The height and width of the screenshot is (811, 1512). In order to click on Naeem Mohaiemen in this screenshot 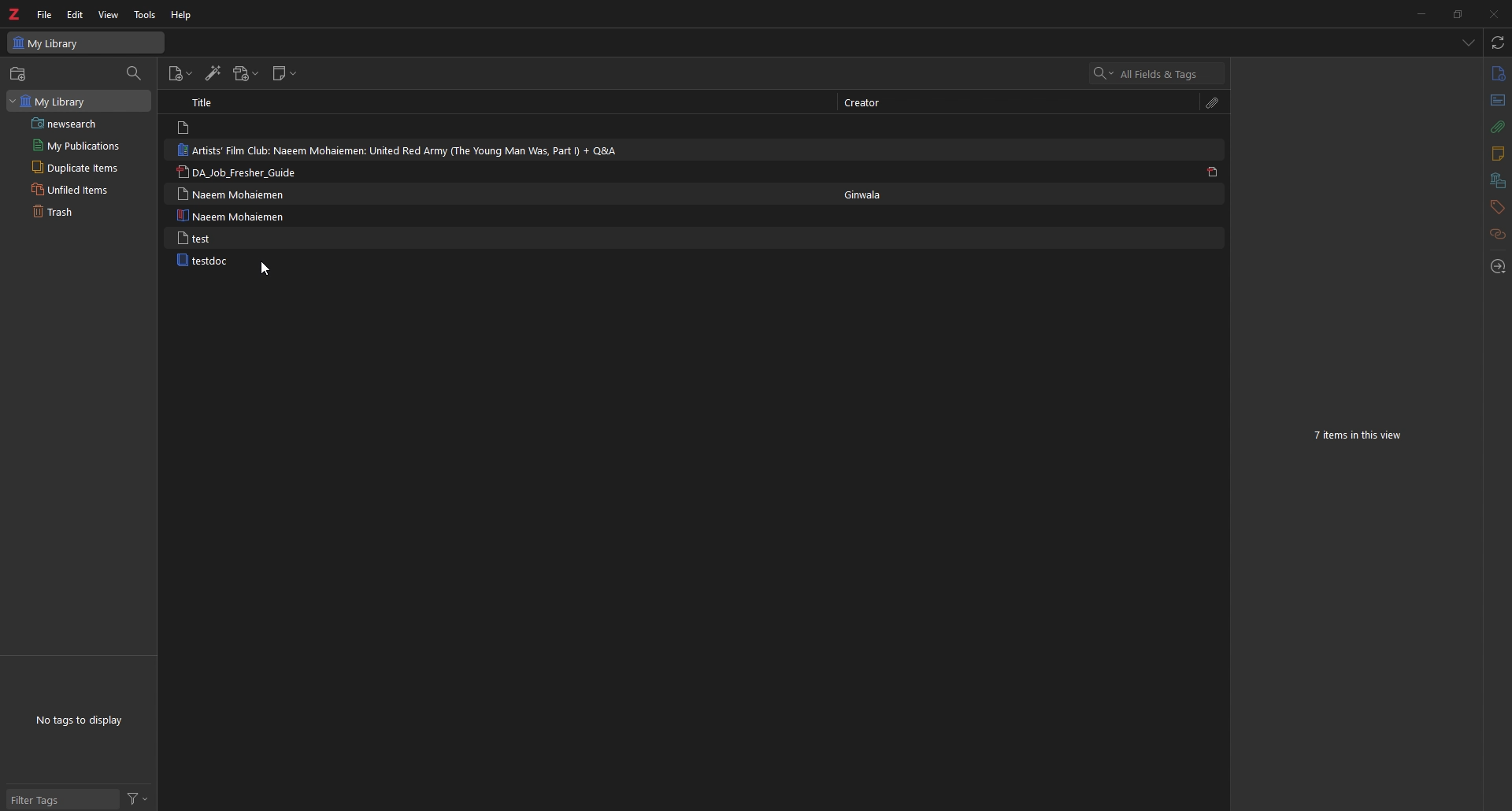, I will do `click(230, 216)`.